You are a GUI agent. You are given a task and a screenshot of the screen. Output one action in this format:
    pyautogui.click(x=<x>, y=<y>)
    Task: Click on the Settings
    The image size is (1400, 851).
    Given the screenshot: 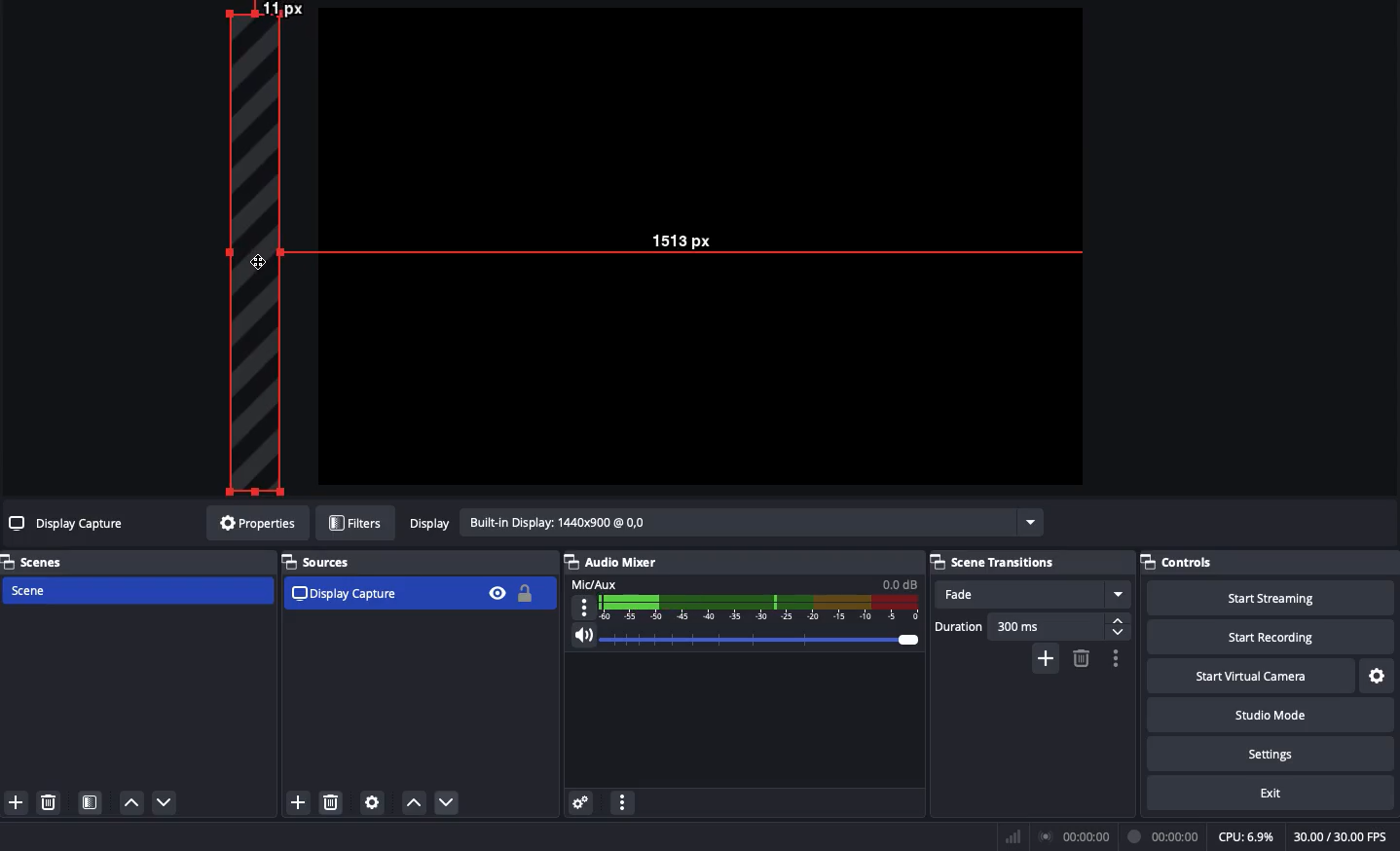 What is the action you would take?
    pyautogui.click(x=1379, y=677)
    